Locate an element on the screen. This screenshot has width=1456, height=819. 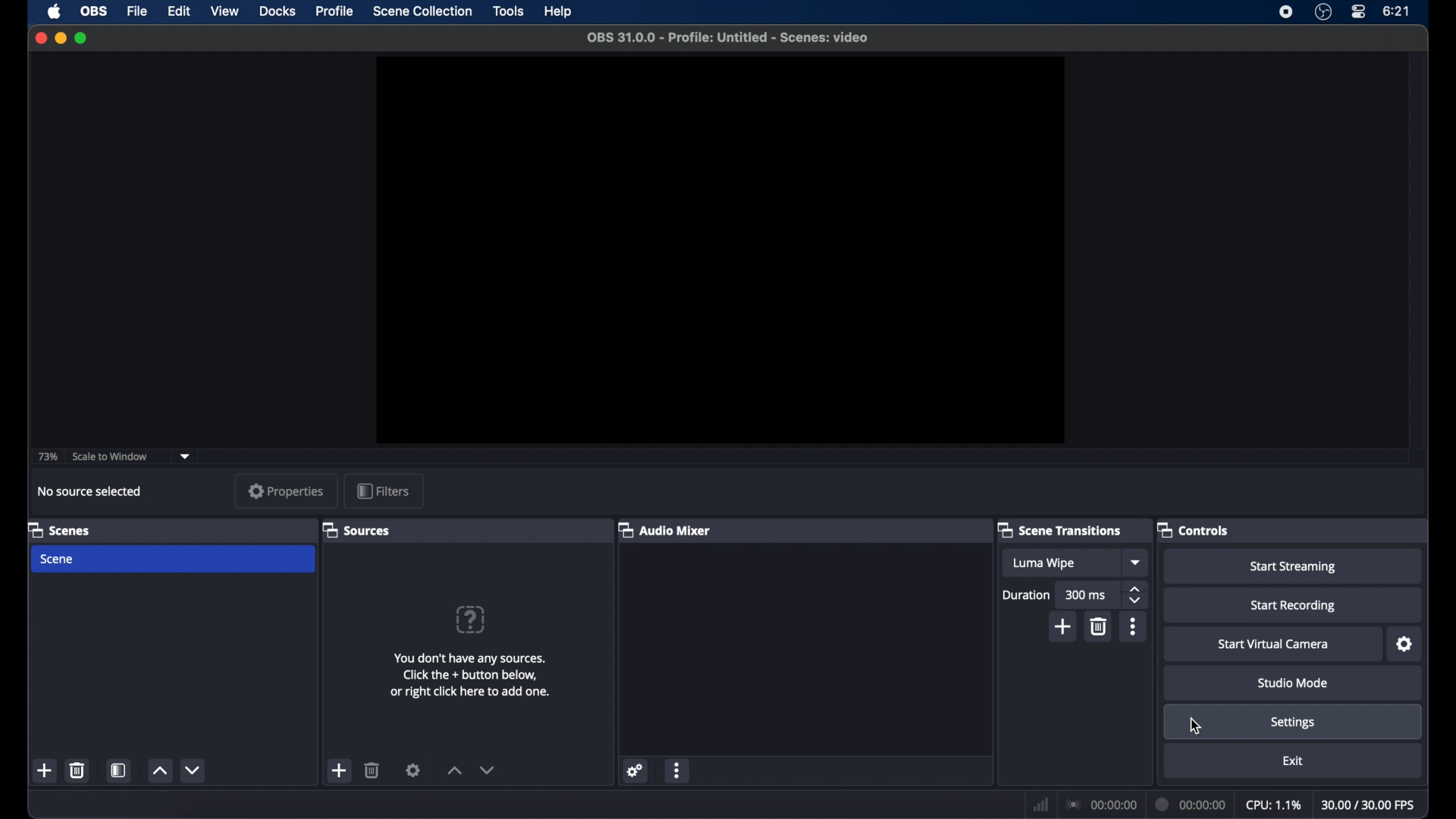
scene filters is located at coordinates (119, 770).